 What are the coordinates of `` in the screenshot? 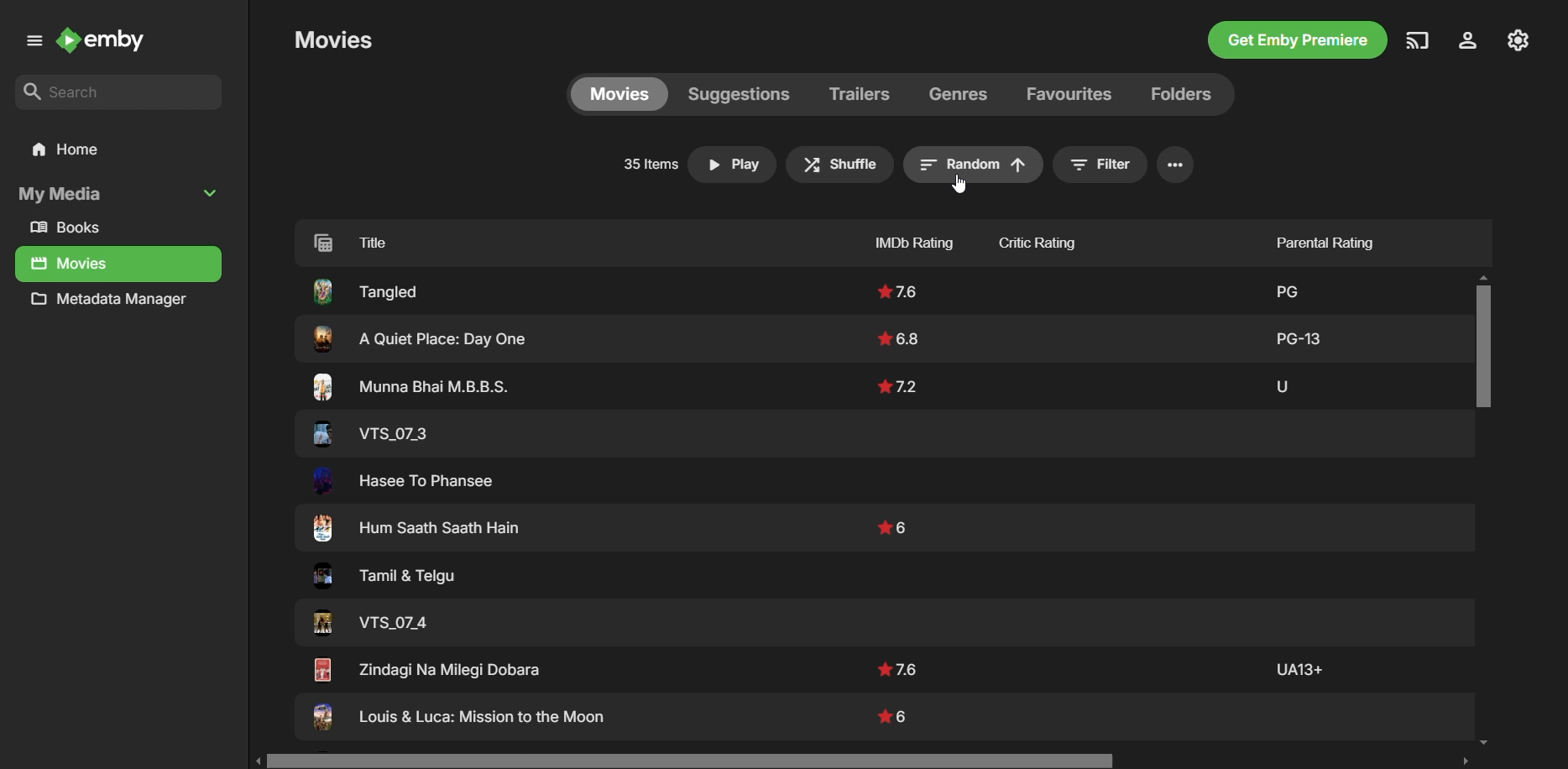 It's located at (900, 385).